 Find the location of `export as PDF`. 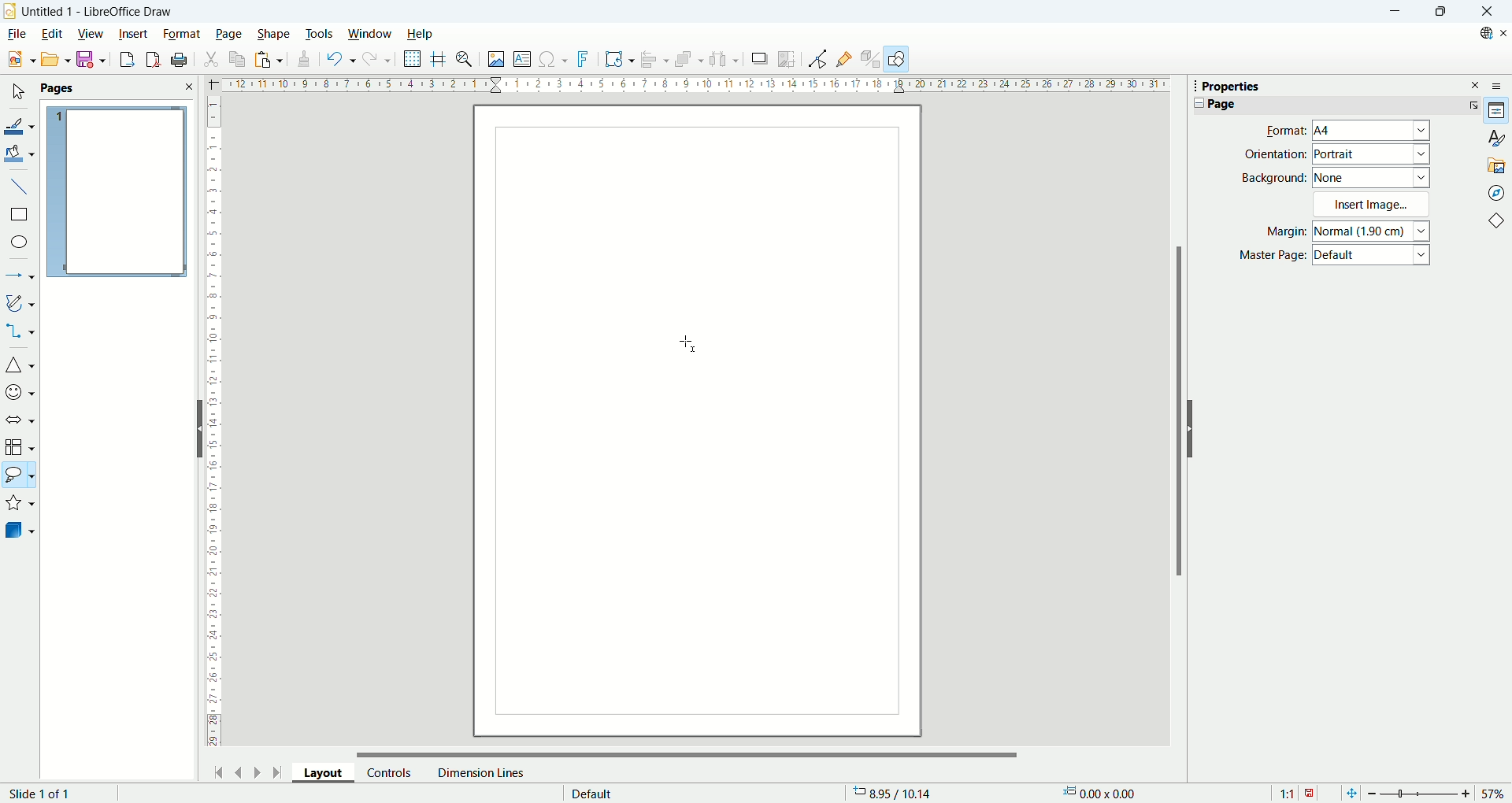

export as PDF is located at coordinates (151, 60).